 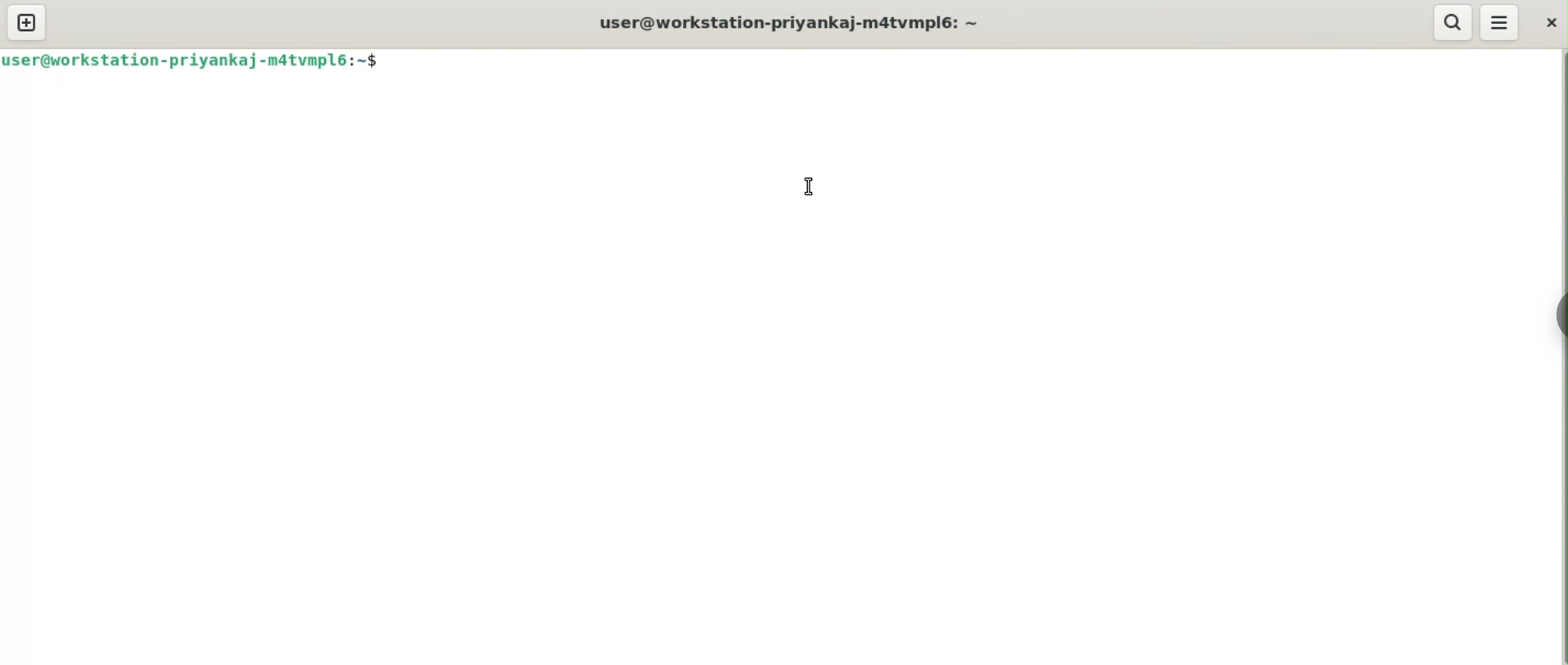 I want to click on close, so click(x=1551, y=21).